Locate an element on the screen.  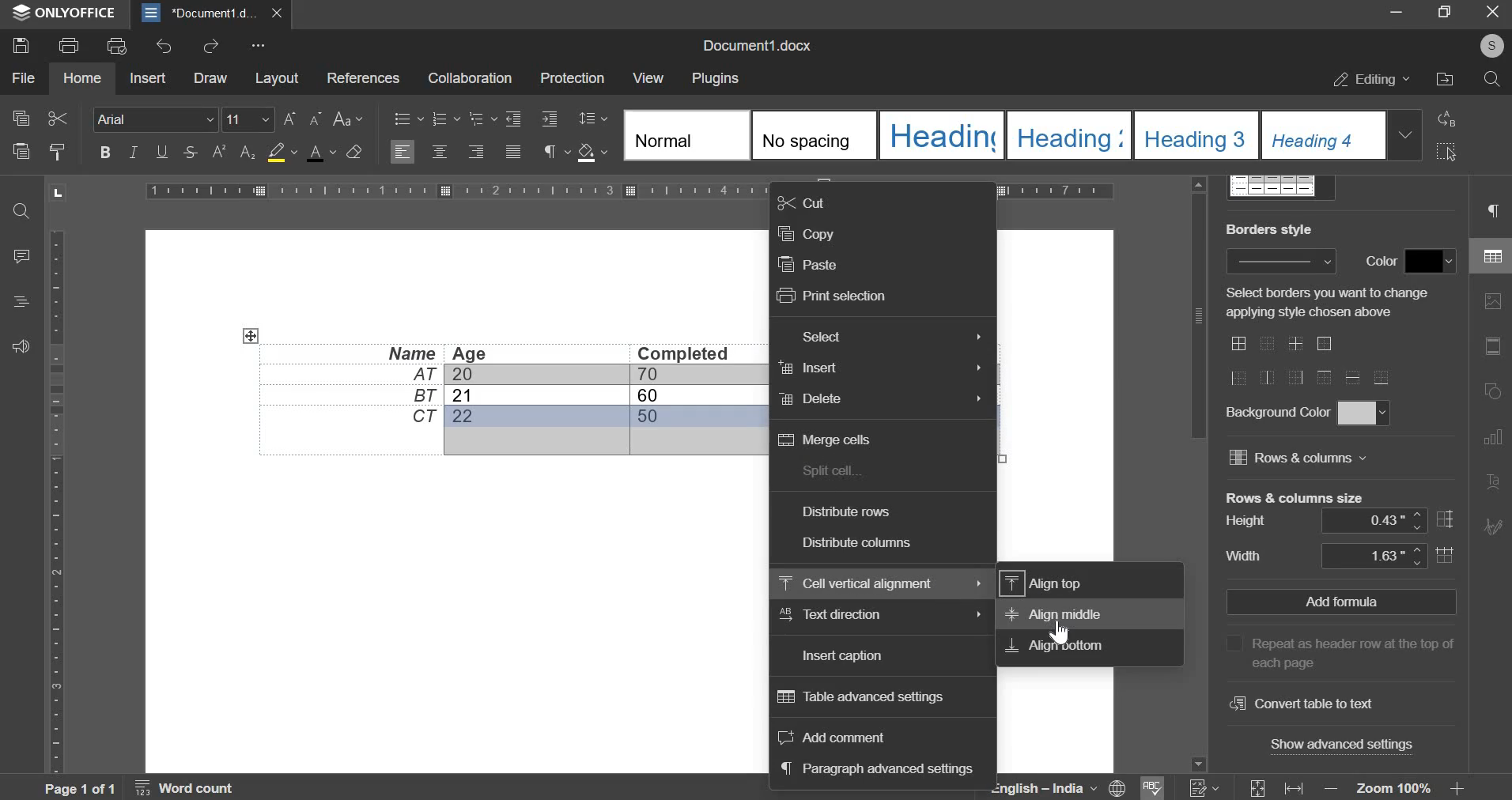
select all is located at coordinates (1448, 153).